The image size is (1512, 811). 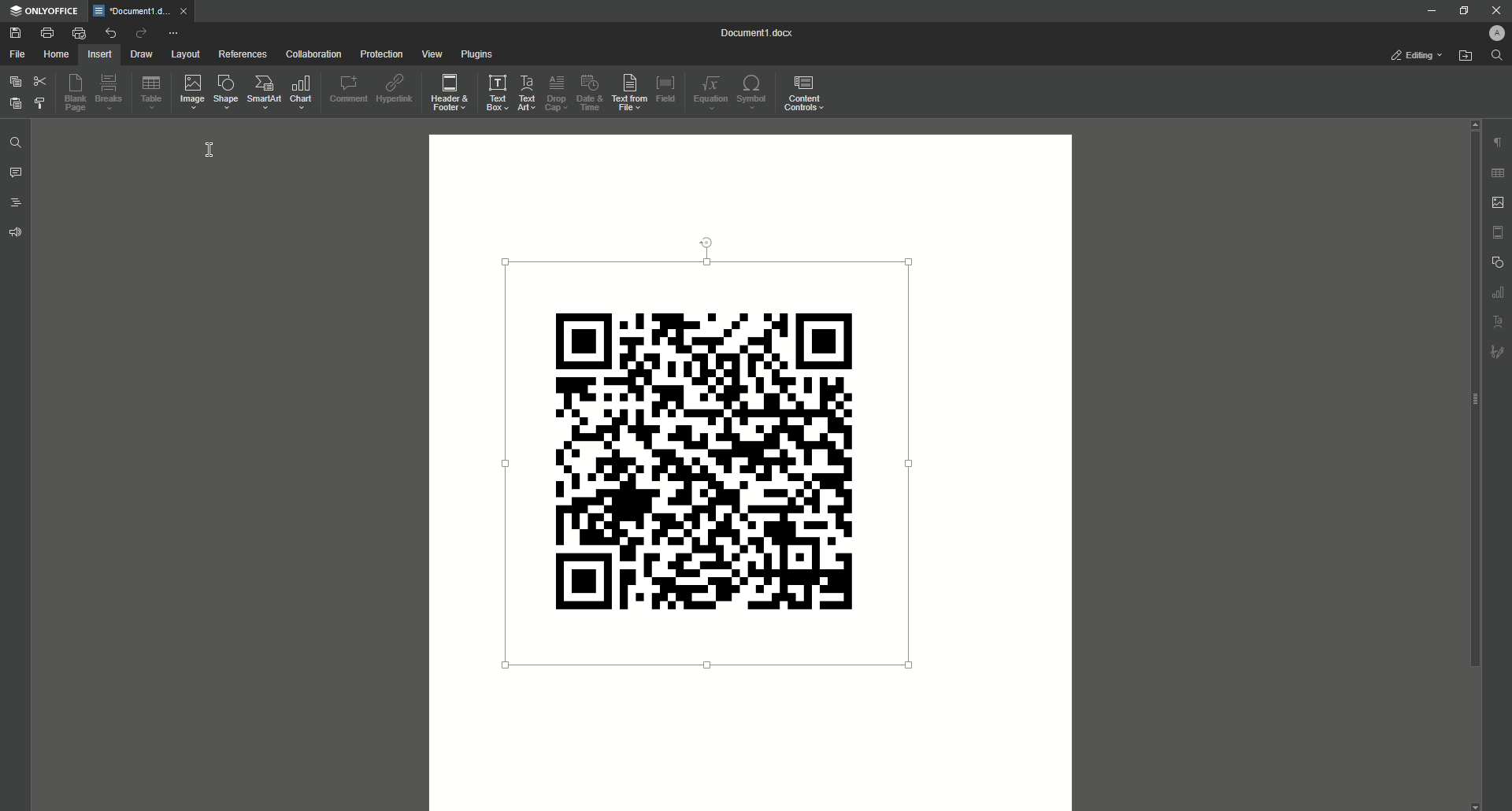 I want to click on Plugins, so click(x=478, y=54).